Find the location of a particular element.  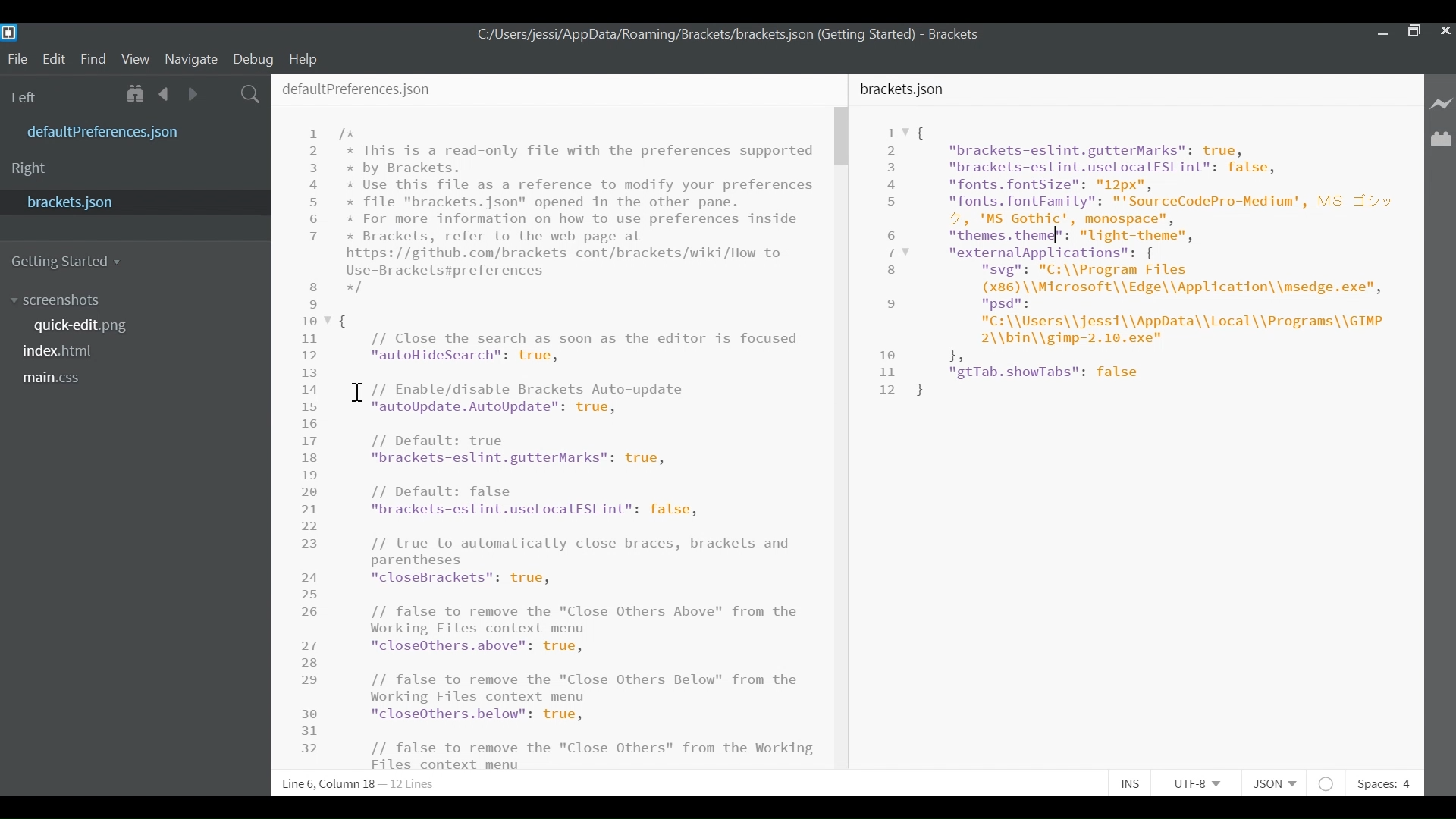

Find In Files is located at coordinates (251, 93).